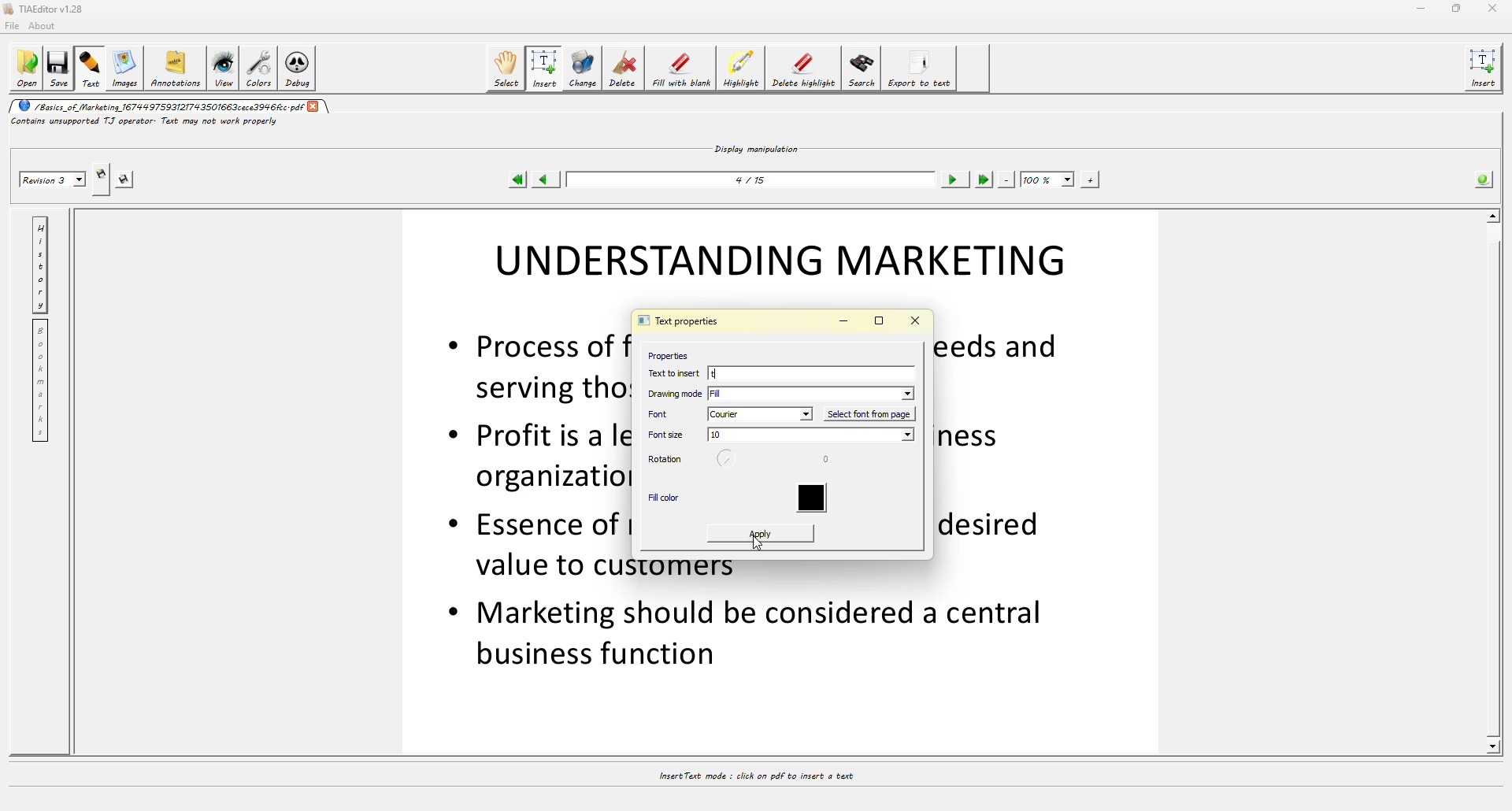 The height and width of the screenshot is (811, 1512). Describe the element at coordinates (61, 69) in the screenshot. I see `save` at that location.